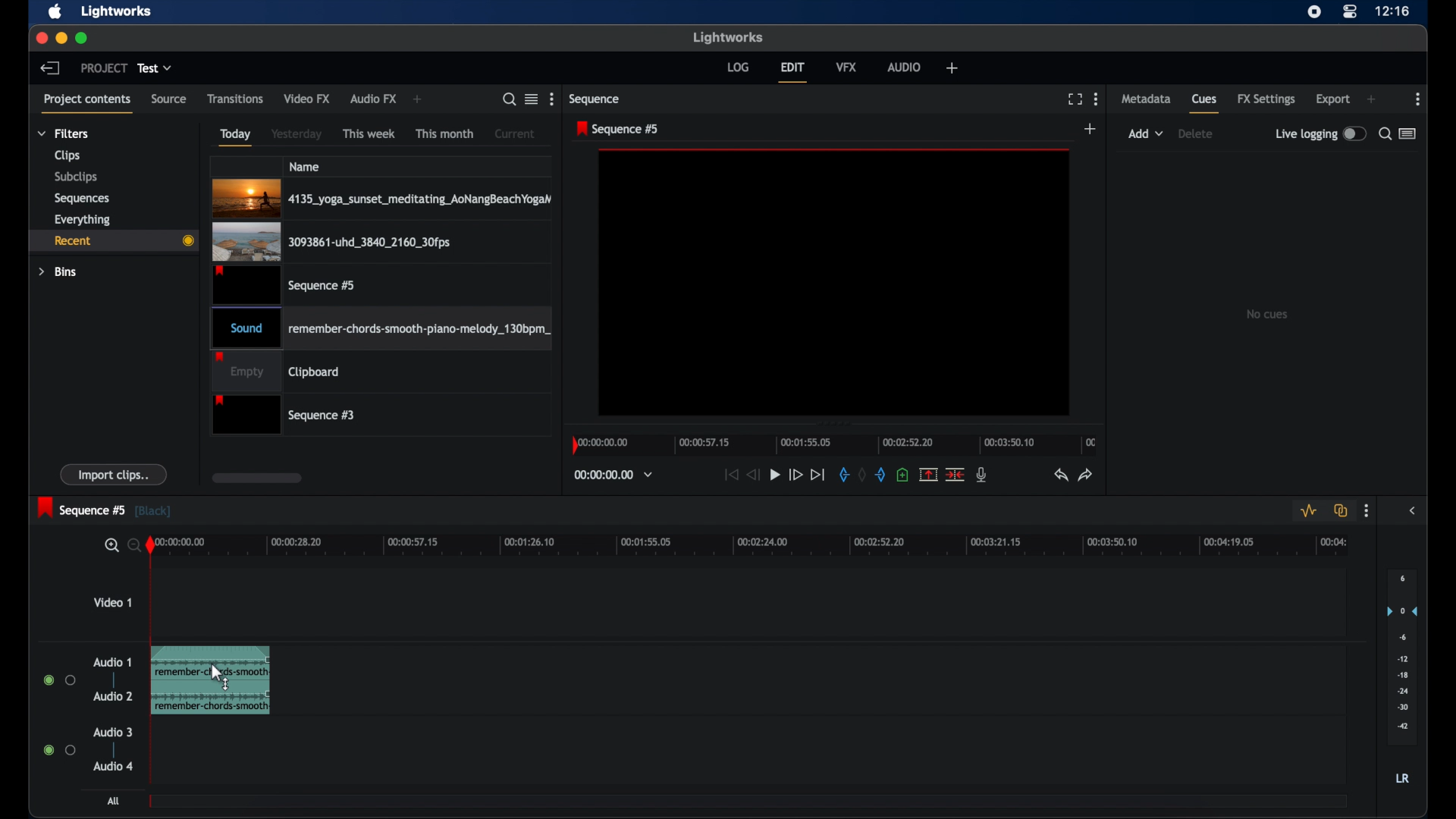 This screenshot has height=819, width=1456. I want to click on rewind, so click(752, 473).